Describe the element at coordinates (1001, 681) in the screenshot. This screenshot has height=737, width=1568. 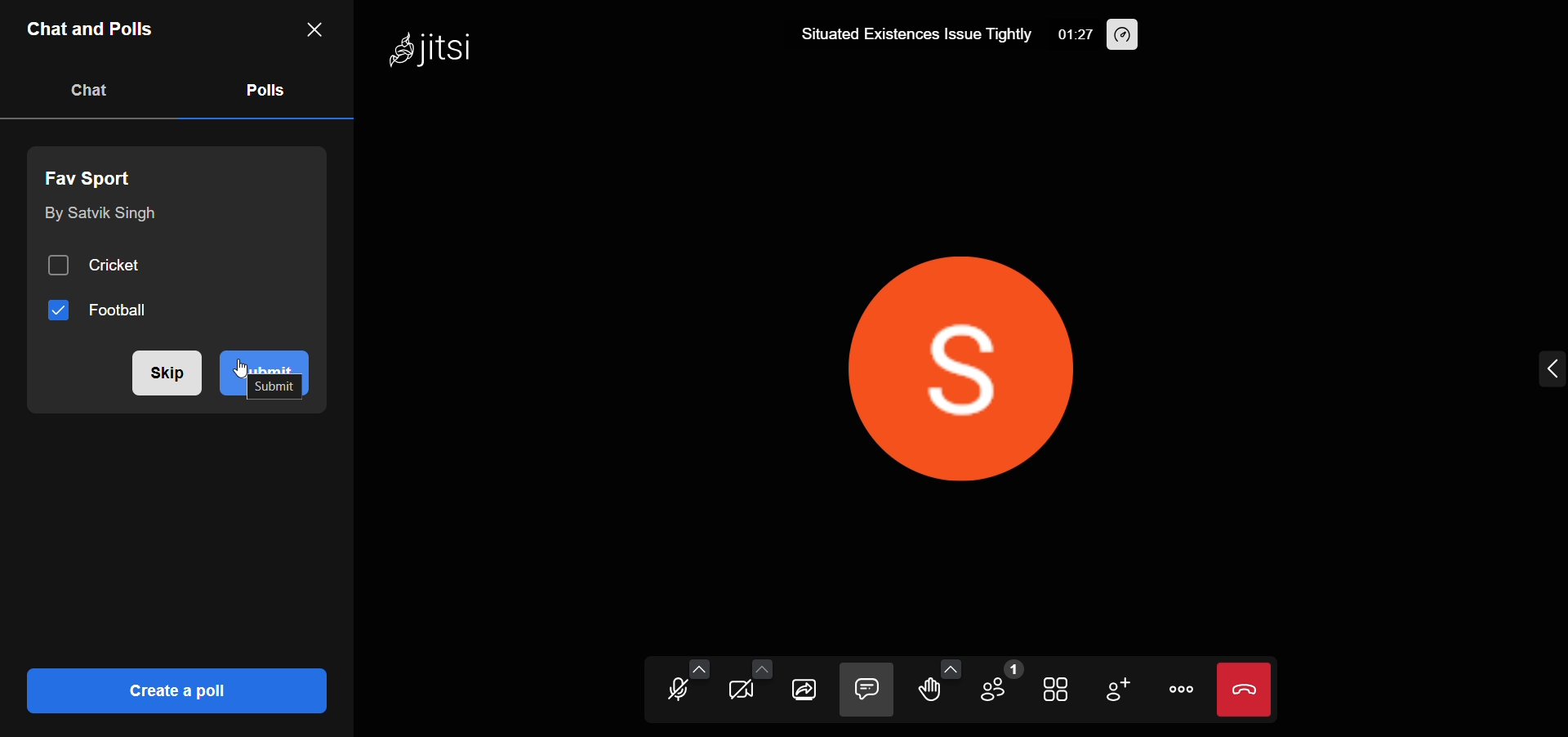
I see `participant` at that location.